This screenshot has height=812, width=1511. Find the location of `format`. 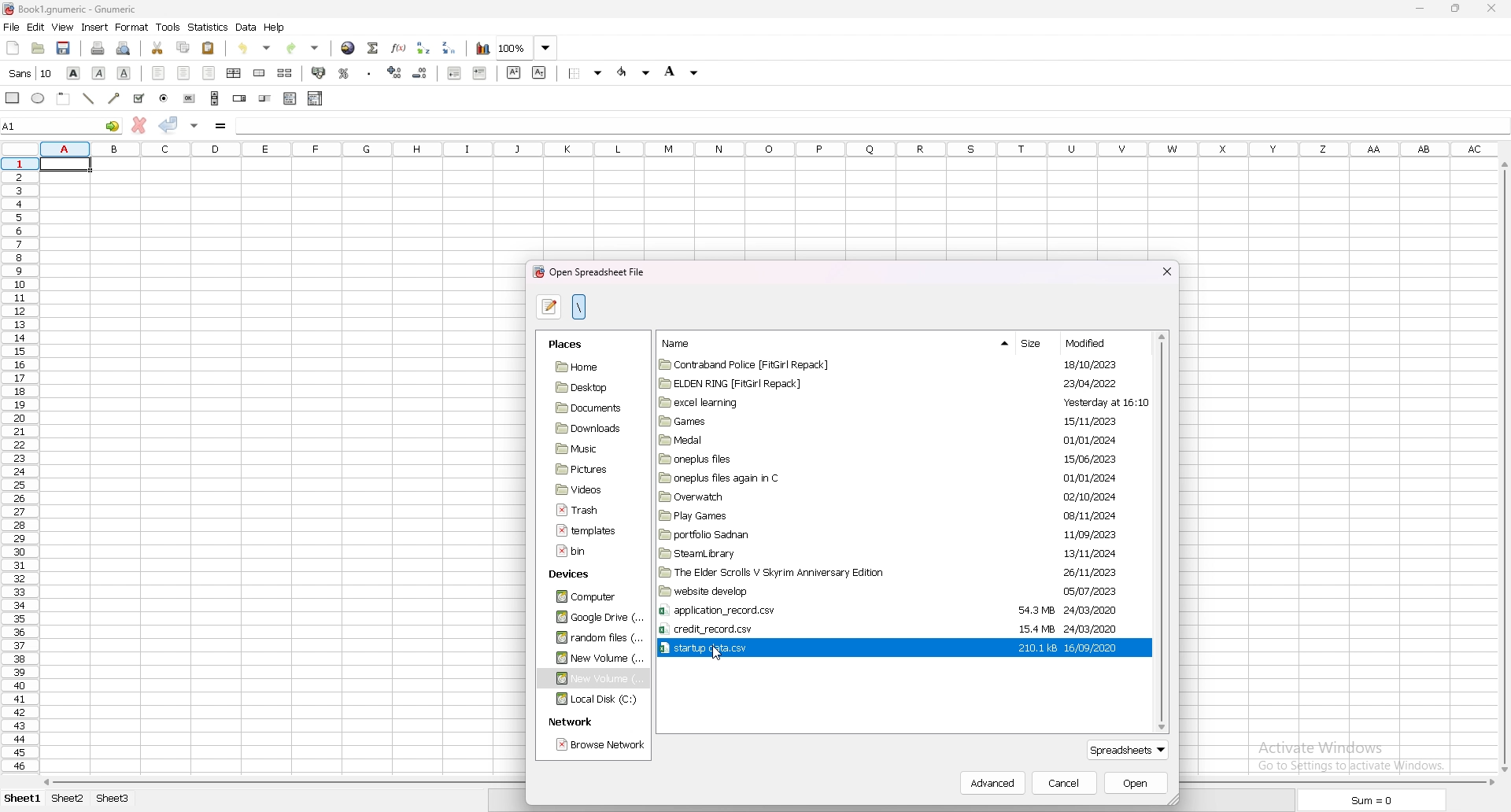

format is located at coordinates (133, 27).